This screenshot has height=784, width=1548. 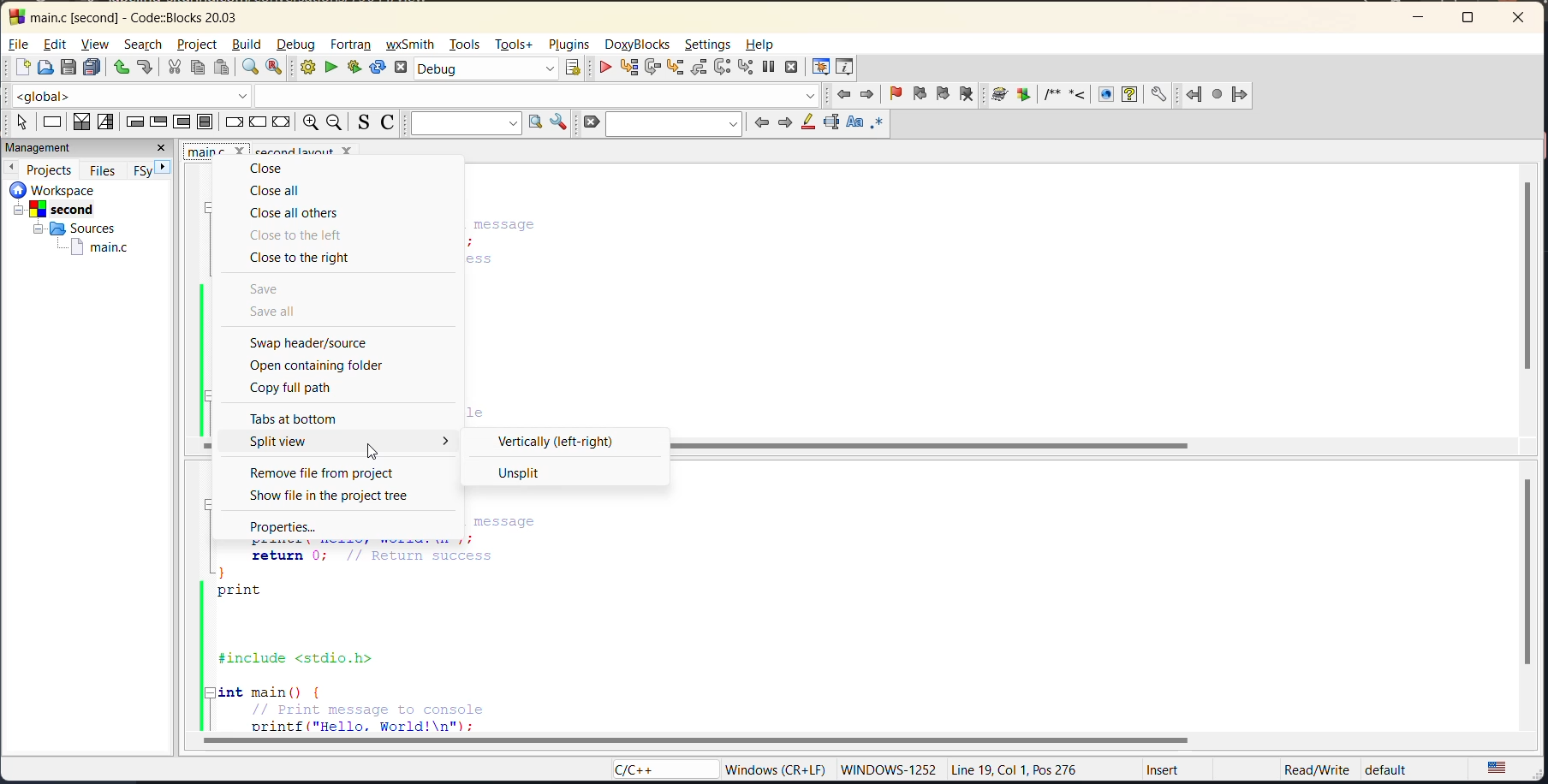 I want to click on workspace, so click(x=54, y=191).